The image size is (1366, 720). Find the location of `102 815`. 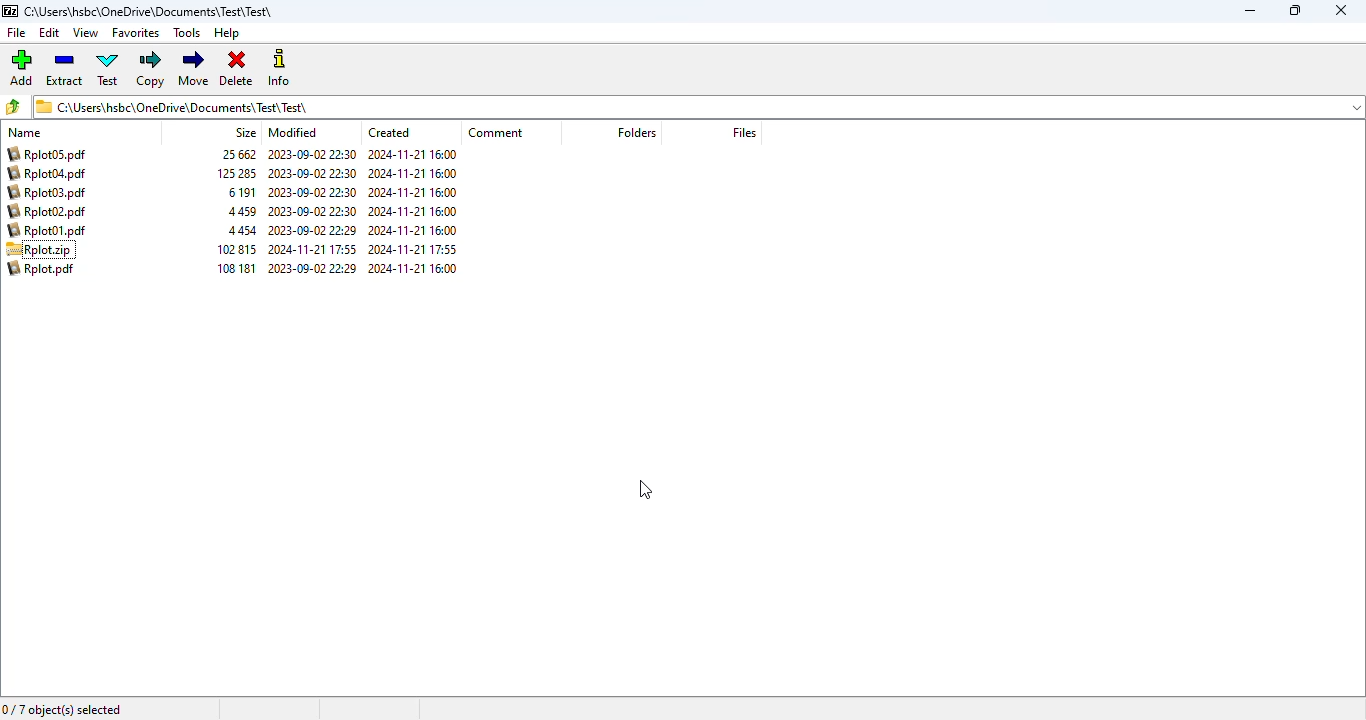

102 815 is located at coordinates (237, 250).